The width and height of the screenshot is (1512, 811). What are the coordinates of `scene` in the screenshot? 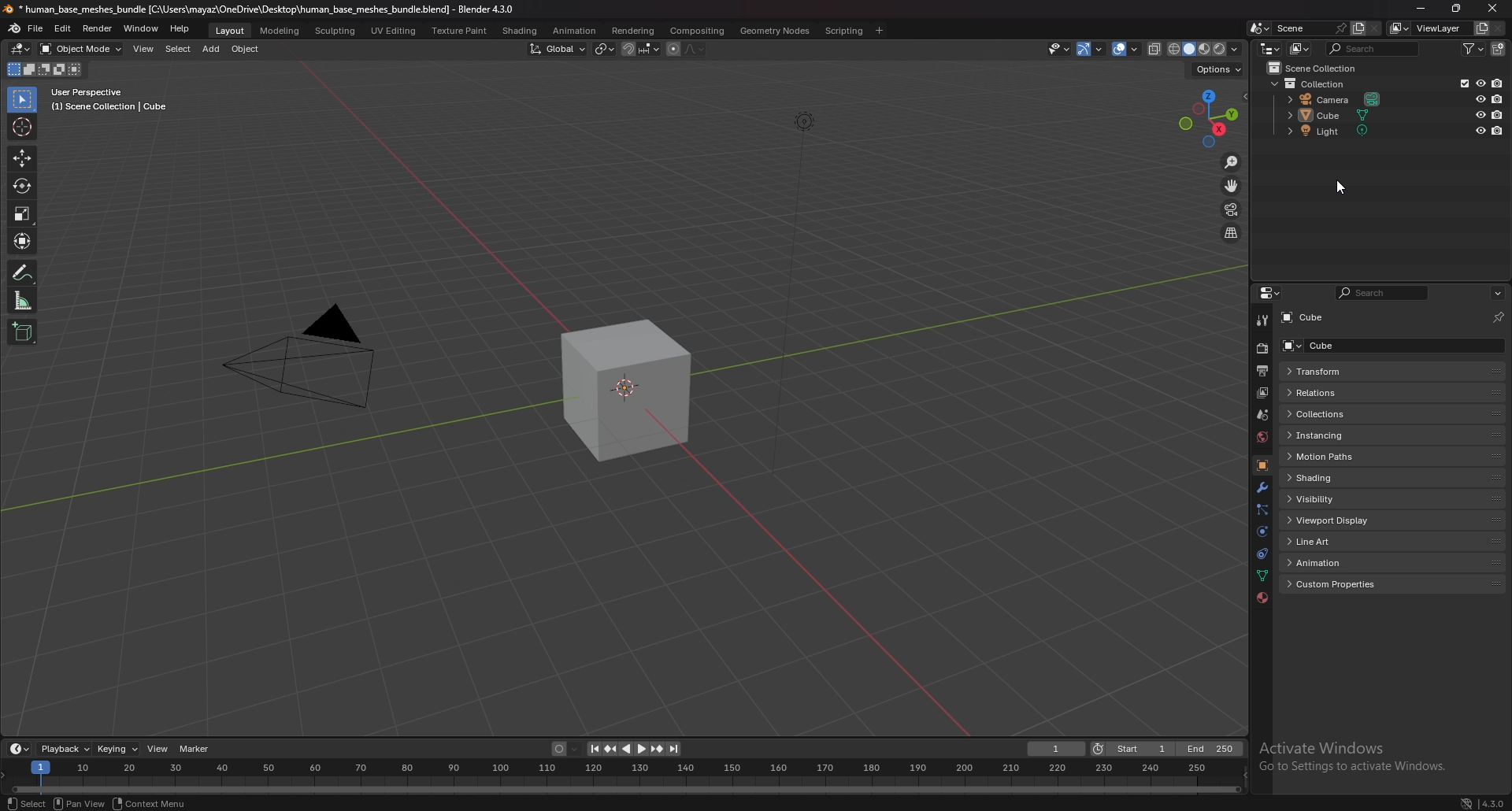 It's located at (1263, 414).